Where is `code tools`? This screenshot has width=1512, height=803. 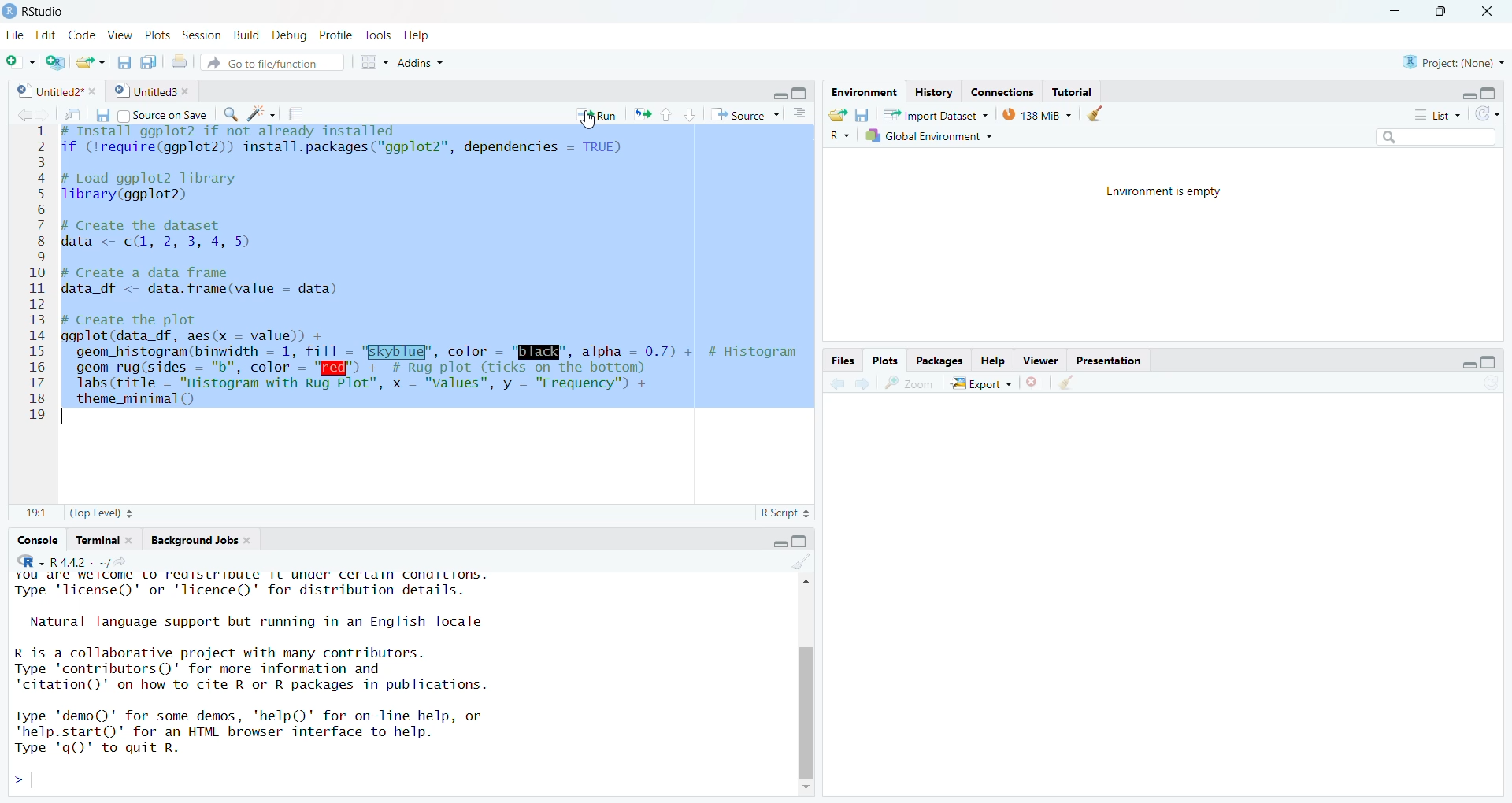 code tools is located at coordinates (259, 108).